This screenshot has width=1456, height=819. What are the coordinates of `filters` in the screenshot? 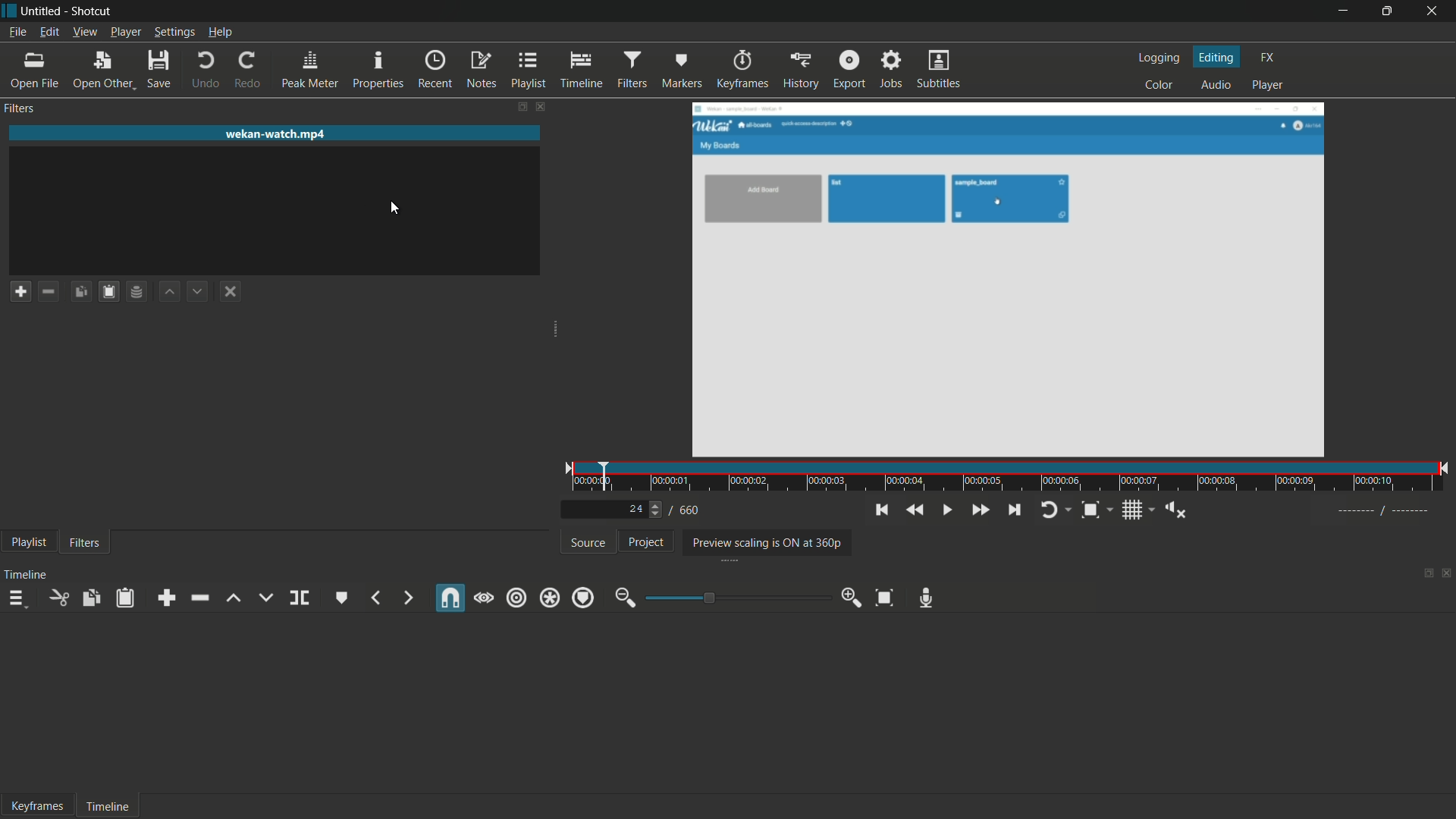 It's located at (632, 69).